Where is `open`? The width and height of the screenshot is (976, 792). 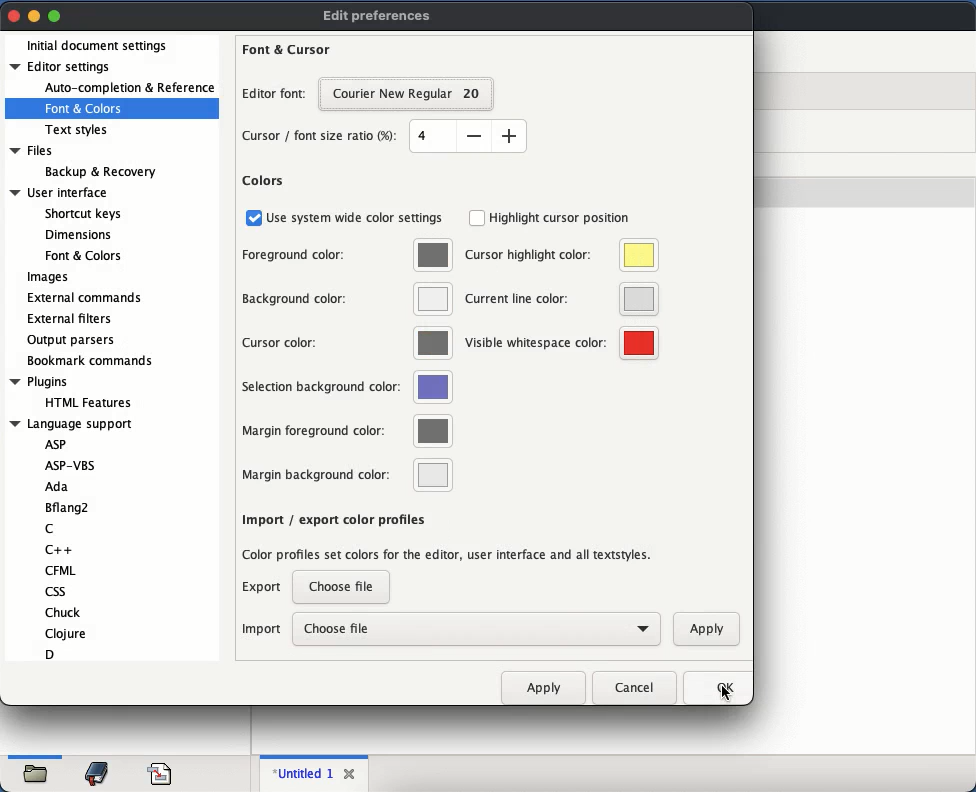 open is located at coordinates (40, 770).